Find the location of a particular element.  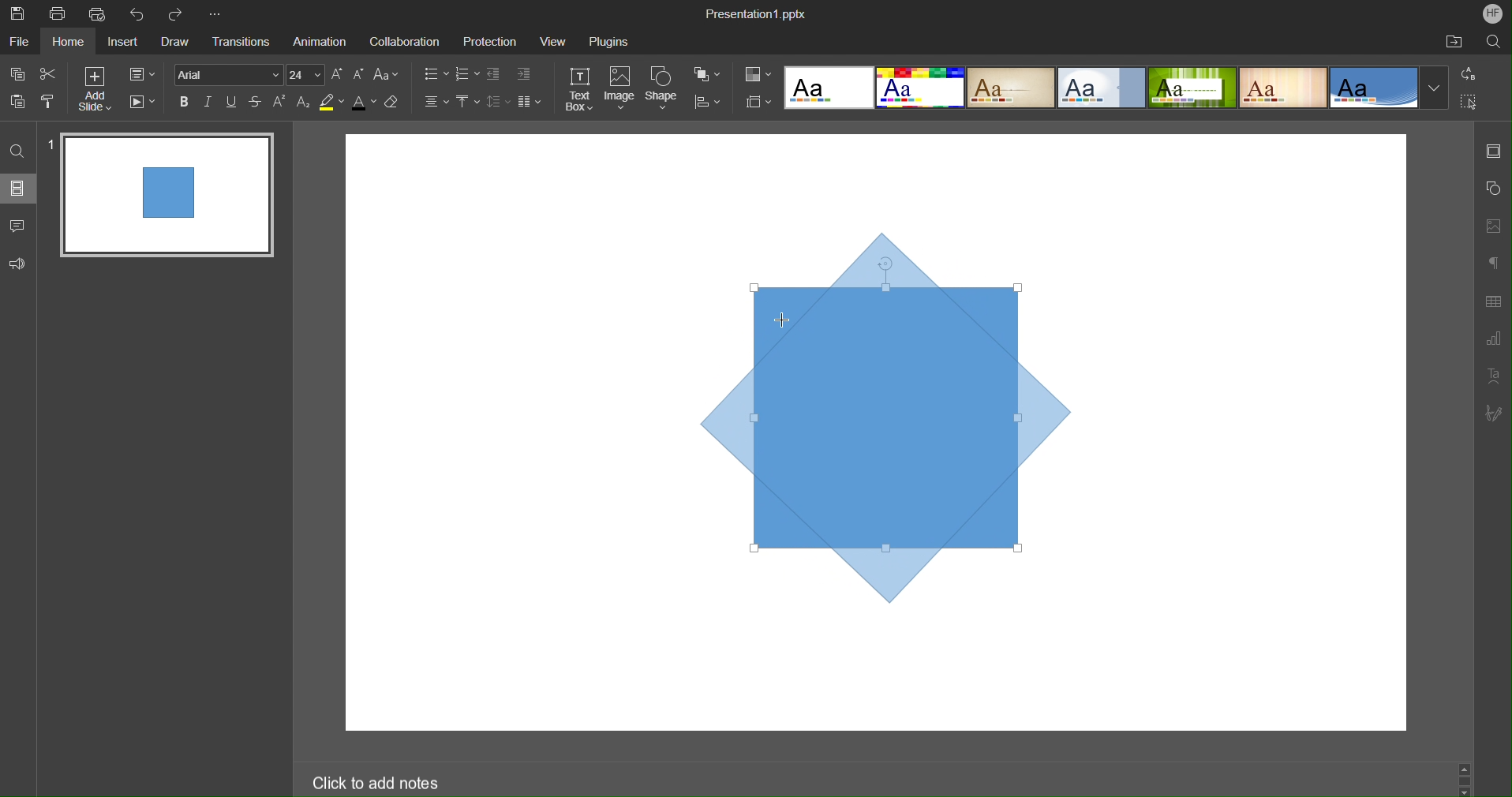

Presentation Template is located at coordinates (1110, 89).